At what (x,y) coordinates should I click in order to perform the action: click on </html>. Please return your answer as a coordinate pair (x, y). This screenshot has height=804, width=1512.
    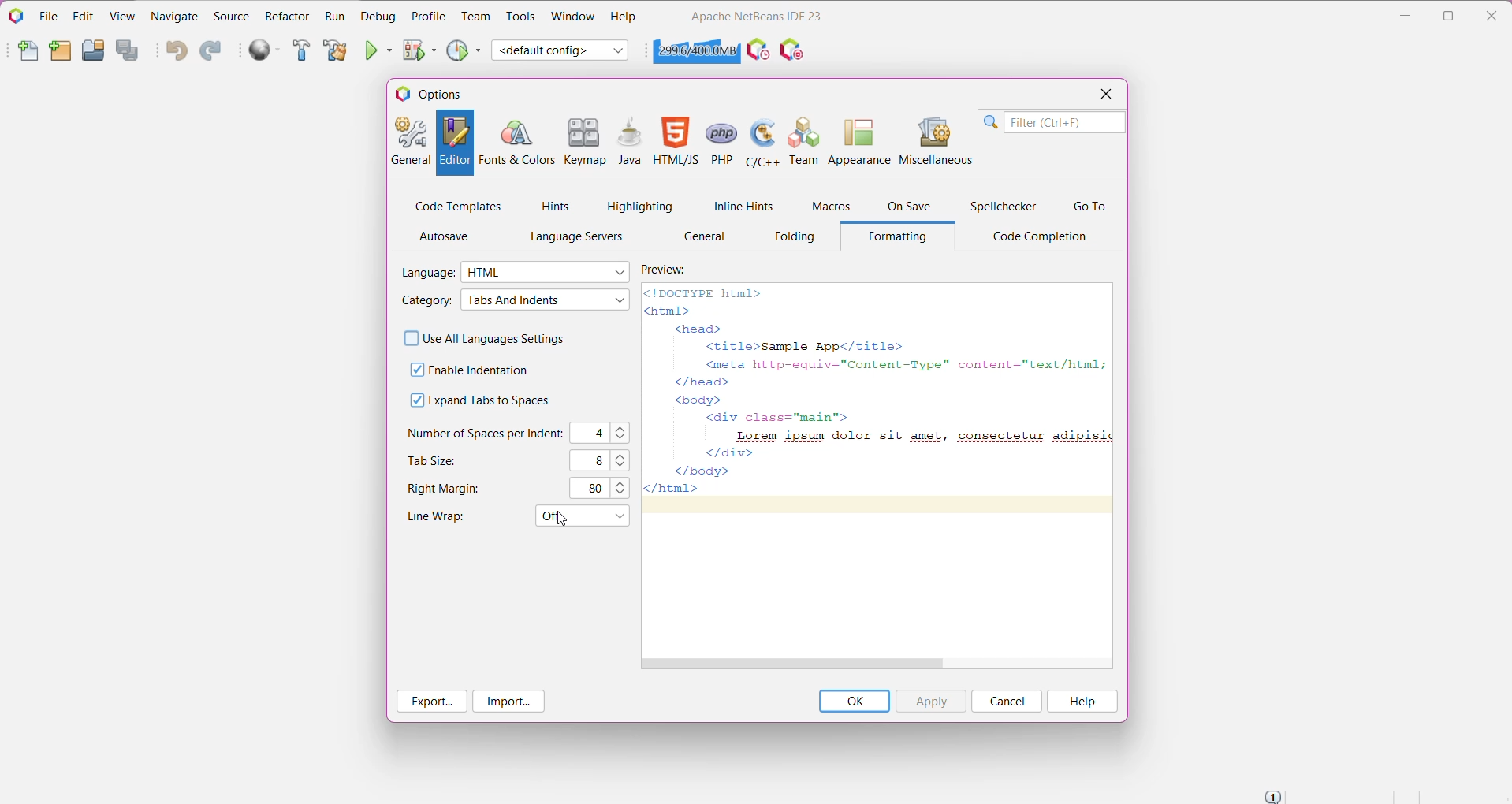
    Looking at the image, I should click on (672, 489).